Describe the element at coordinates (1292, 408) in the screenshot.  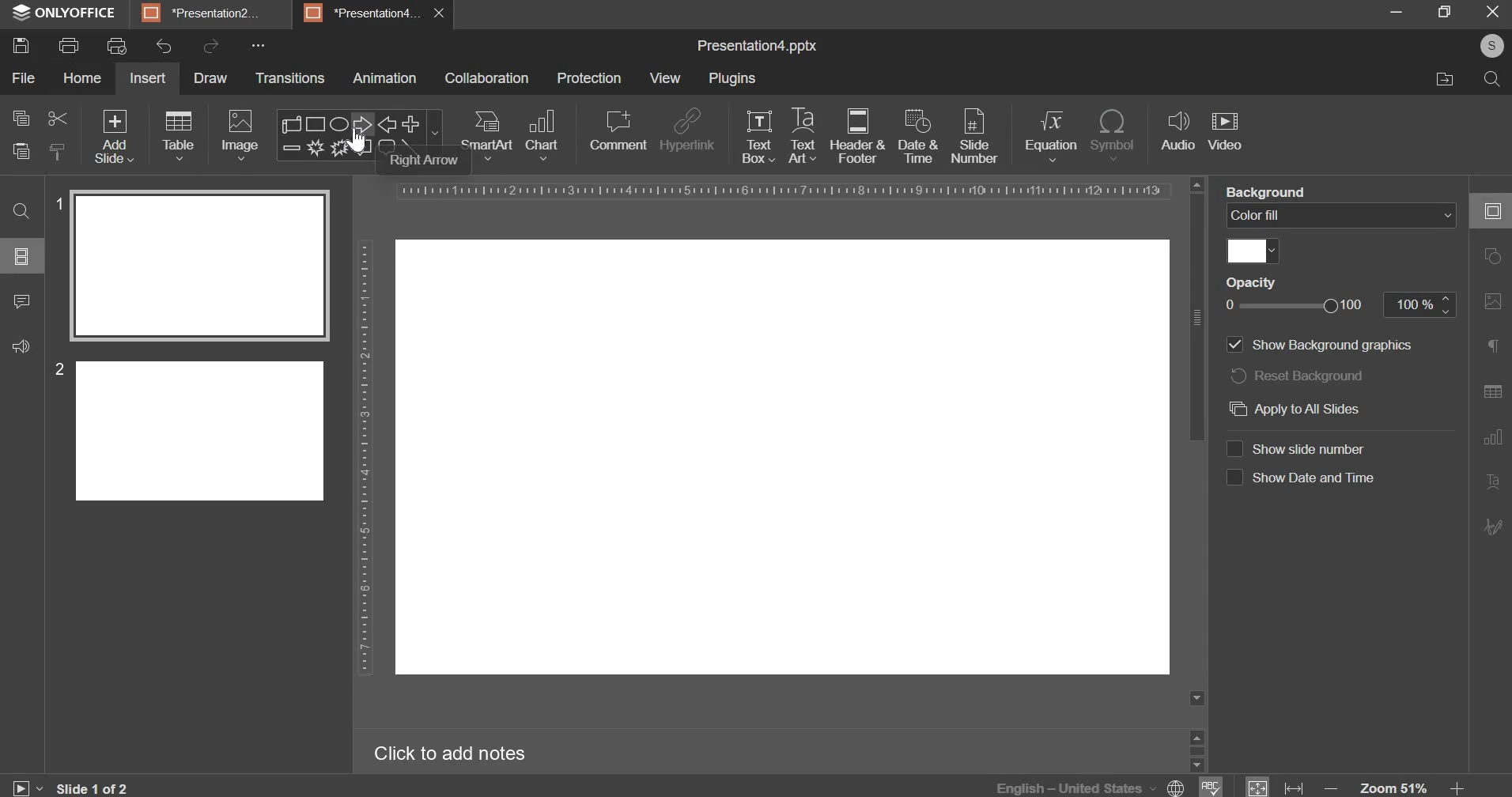
I see `apply to all slides` at that location.